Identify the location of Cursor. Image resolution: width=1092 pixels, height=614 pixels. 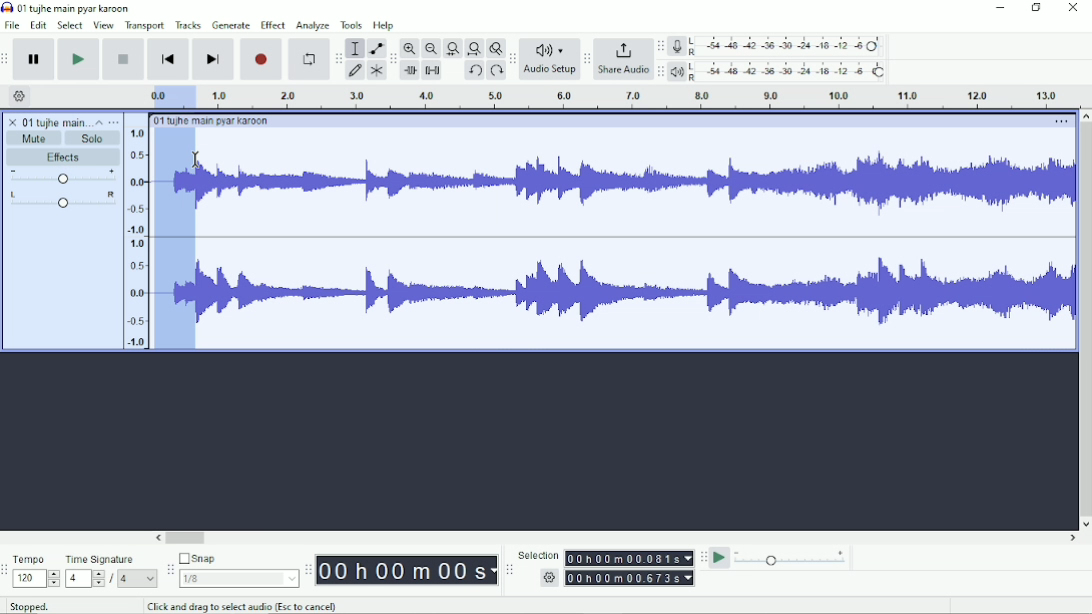
(197, 161).